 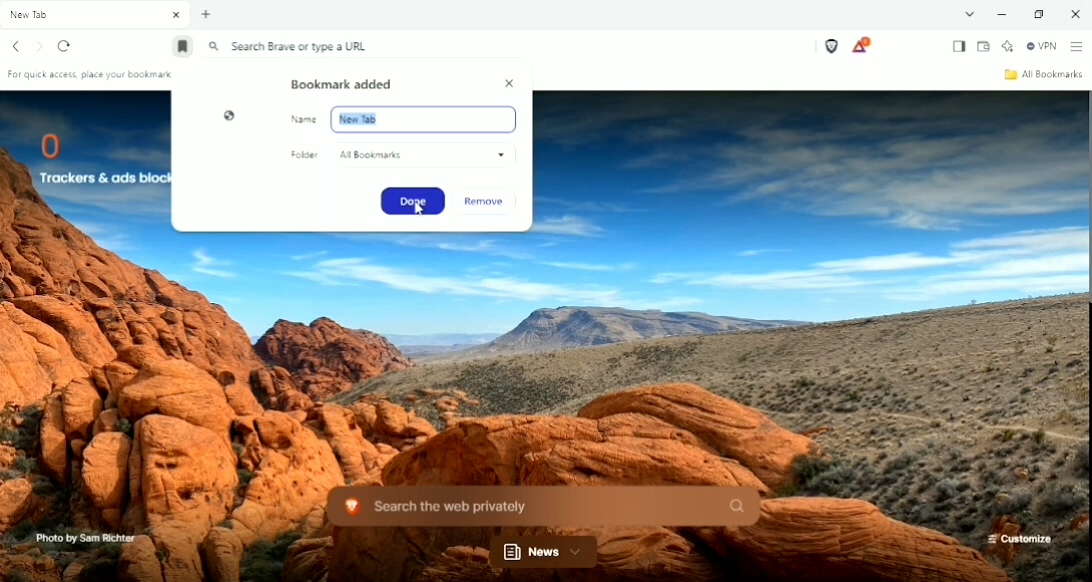 I want to click on Done, so click(x=412, y=201).